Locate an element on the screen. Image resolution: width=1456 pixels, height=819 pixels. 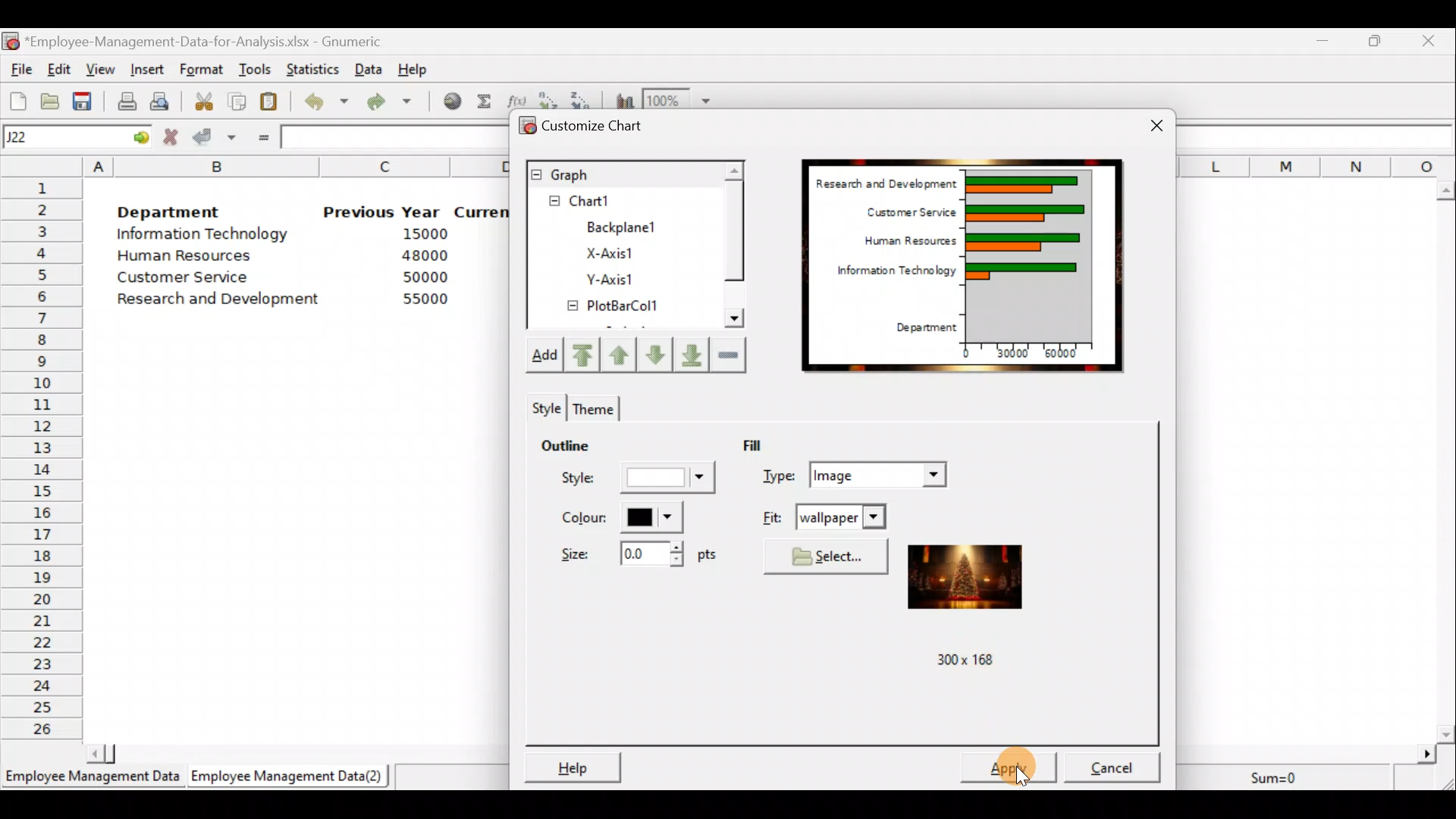
Sum=0 is located at coordinates (1279, 774).